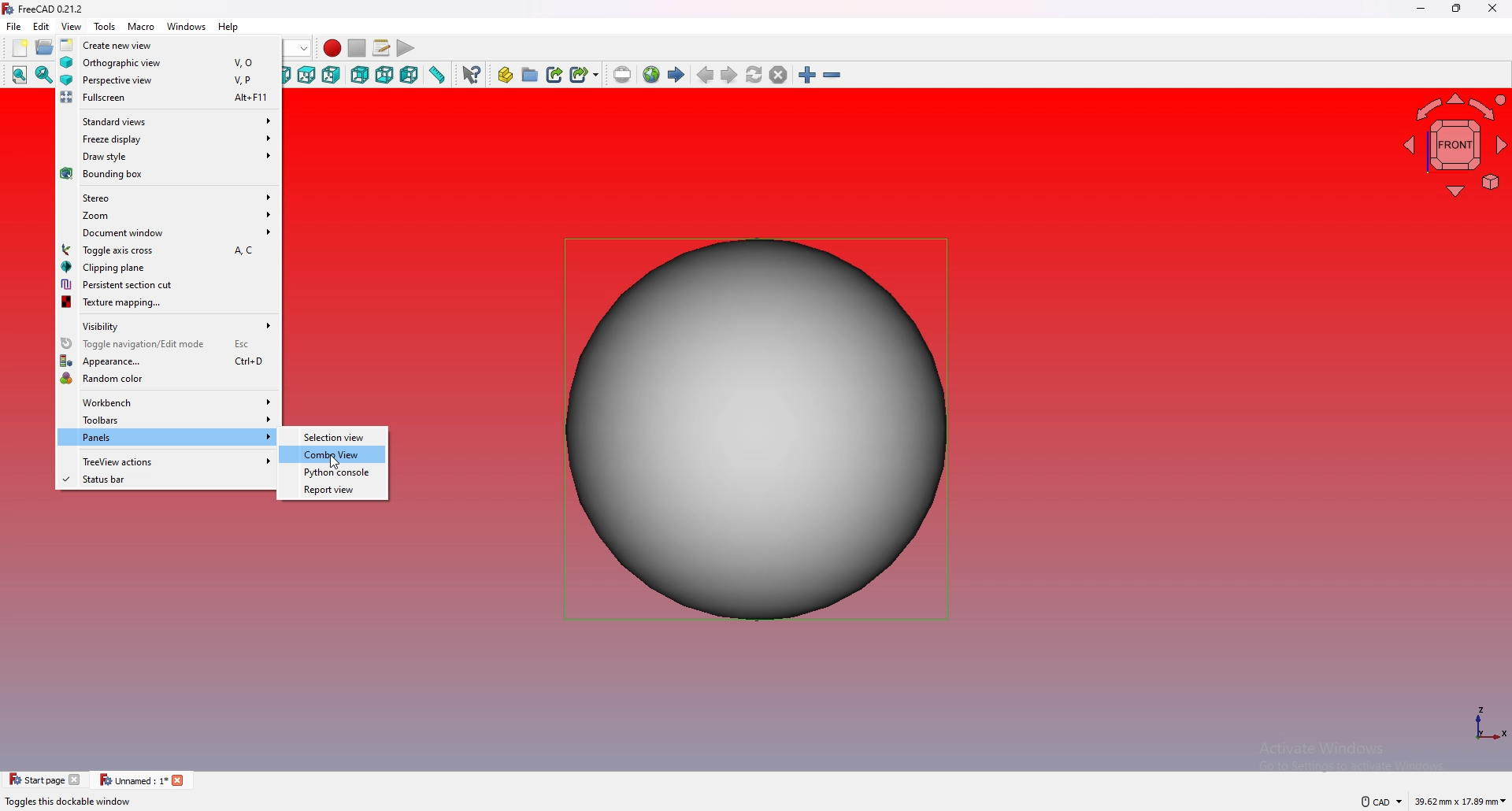 The image size is (1512, 811). Describe the element at coordinates (334, 455) in the screenshot. I see `combo view` at that location.